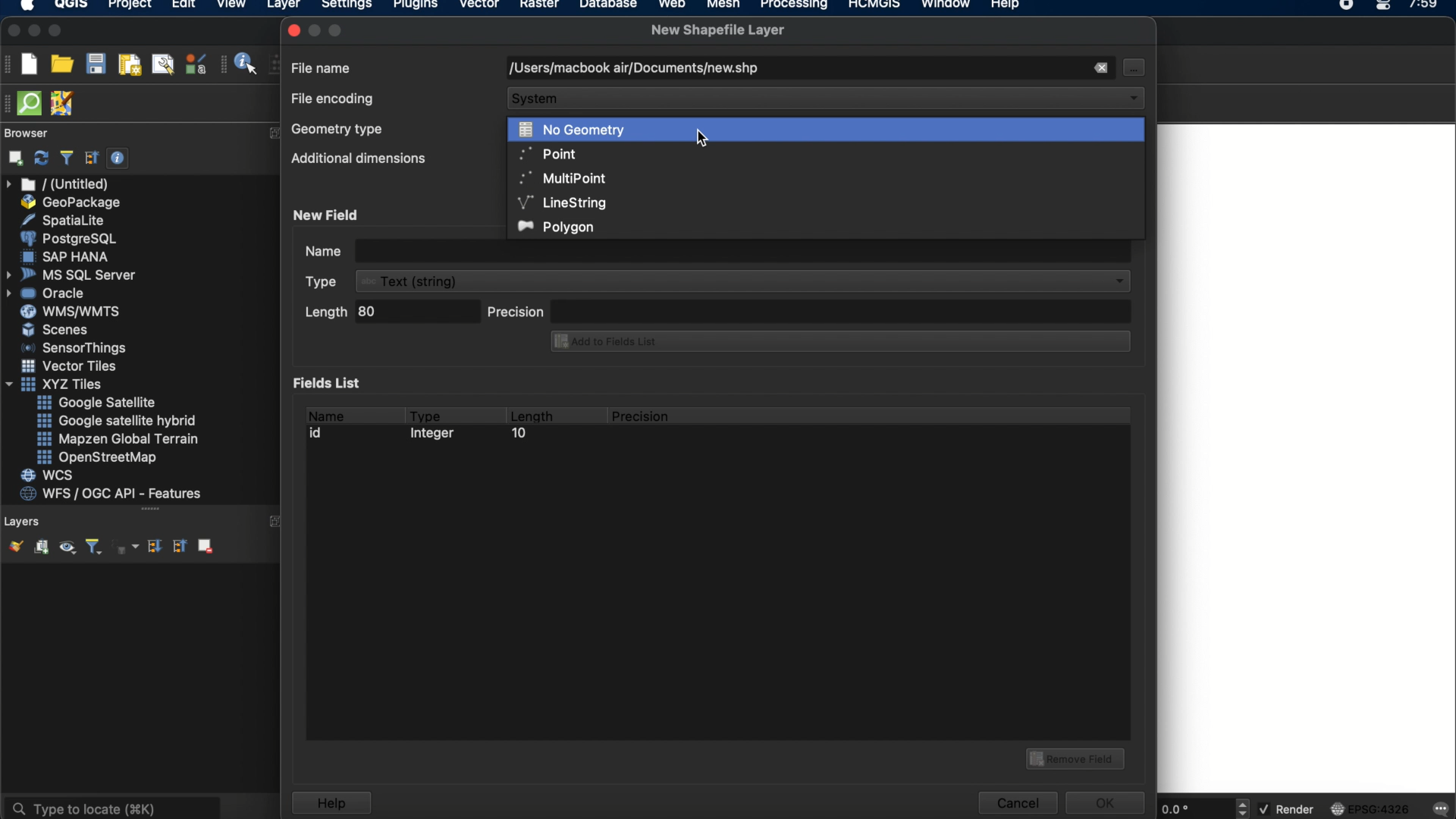 The width and height of the screenshot is (1456, 819). I want to click on type, so click(426, 413).